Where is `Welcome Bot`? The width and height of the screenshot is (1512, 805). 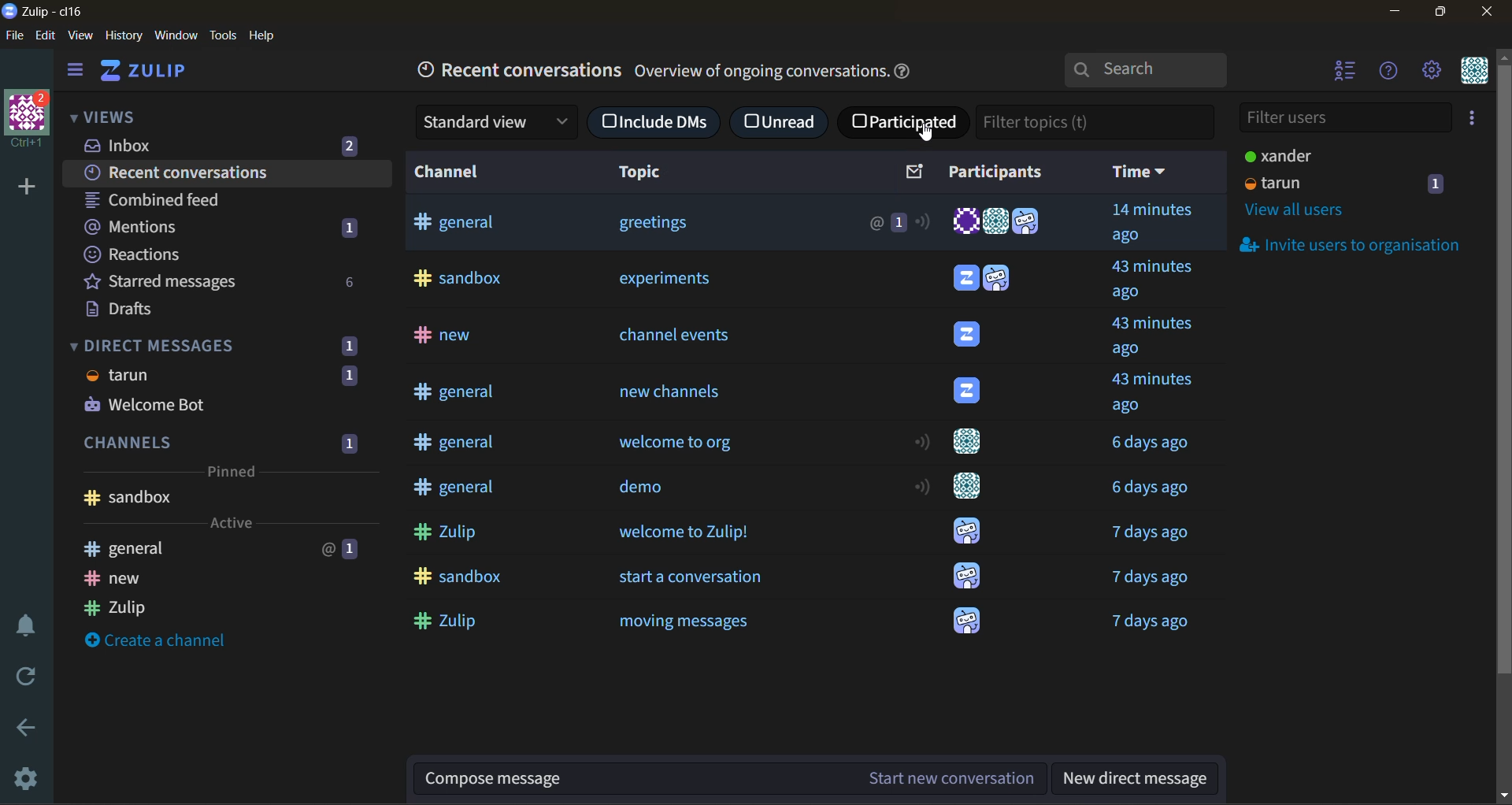
Welcome Bot is located at coordinates (223, 406).